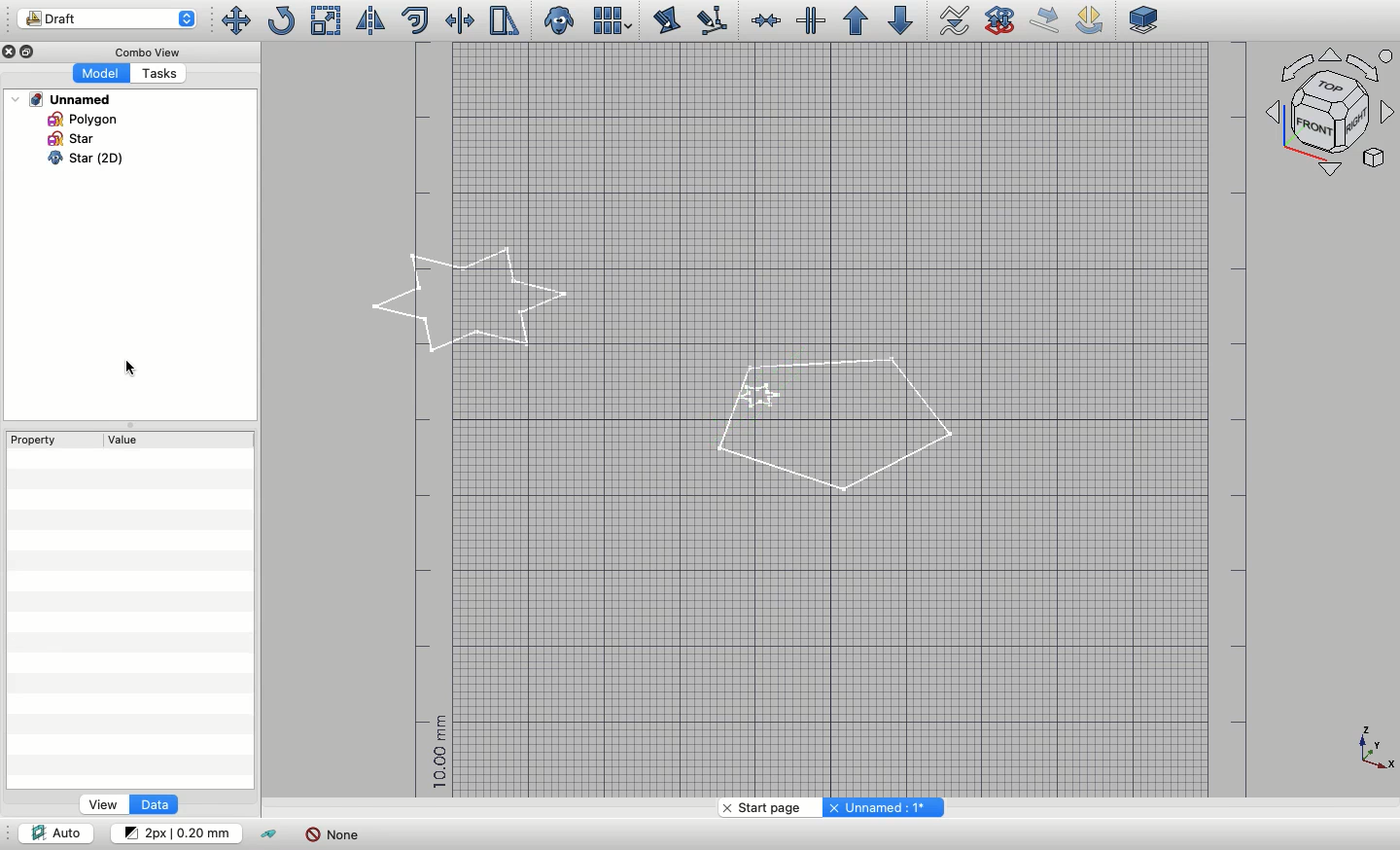  I want to click on Scale, so click(327, 20).